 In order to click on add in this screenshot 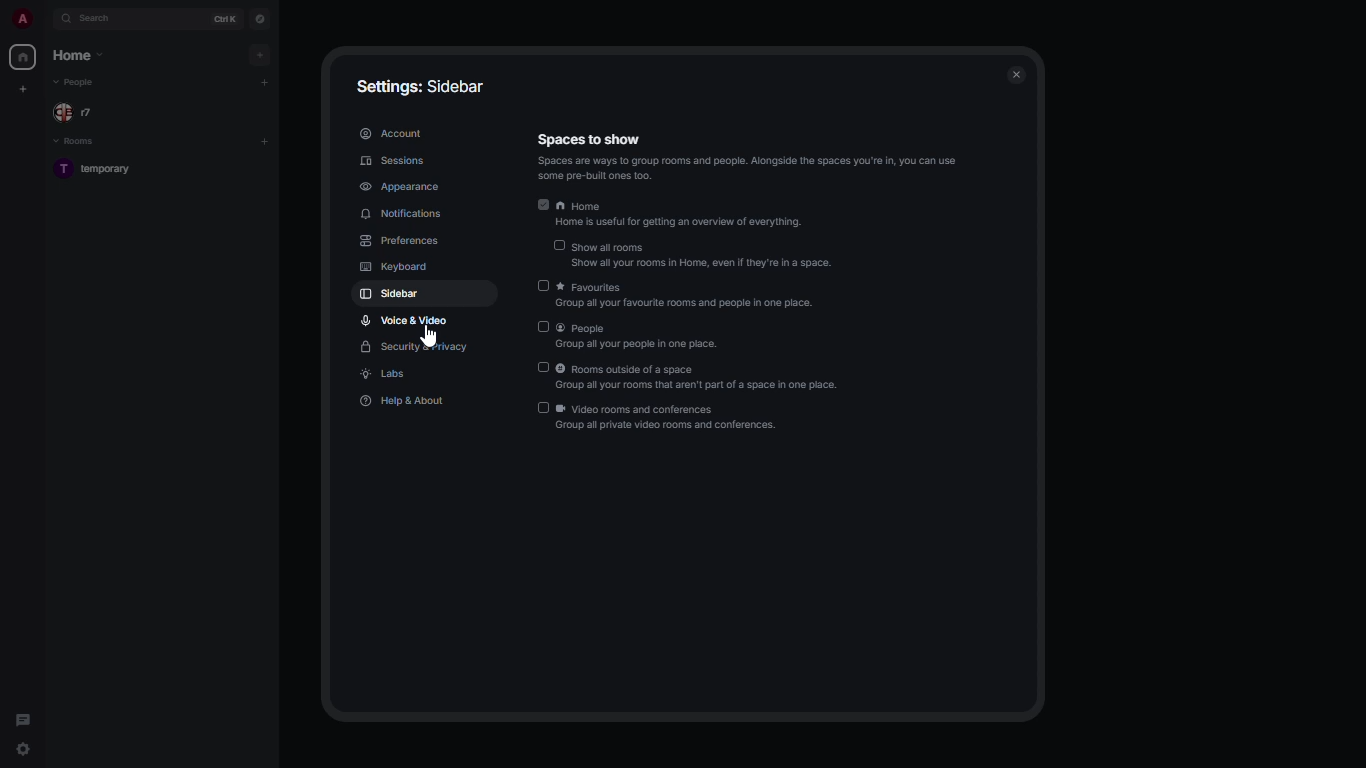, I will do `click(269, 81)`.